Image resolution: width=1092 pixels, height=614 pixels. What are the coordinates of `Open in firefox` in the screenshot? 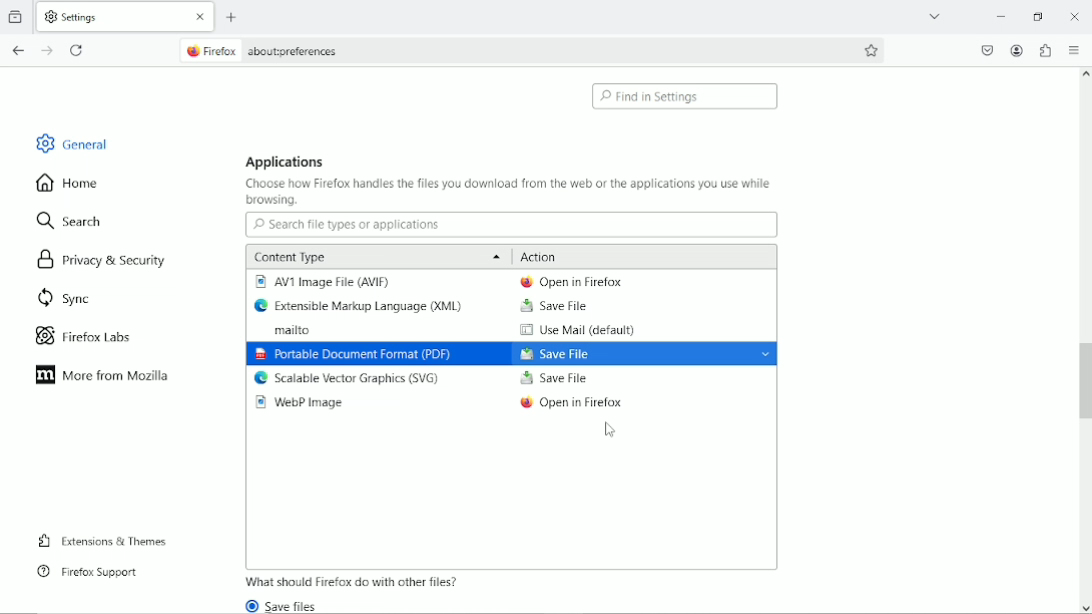 It's located at (573, 404).